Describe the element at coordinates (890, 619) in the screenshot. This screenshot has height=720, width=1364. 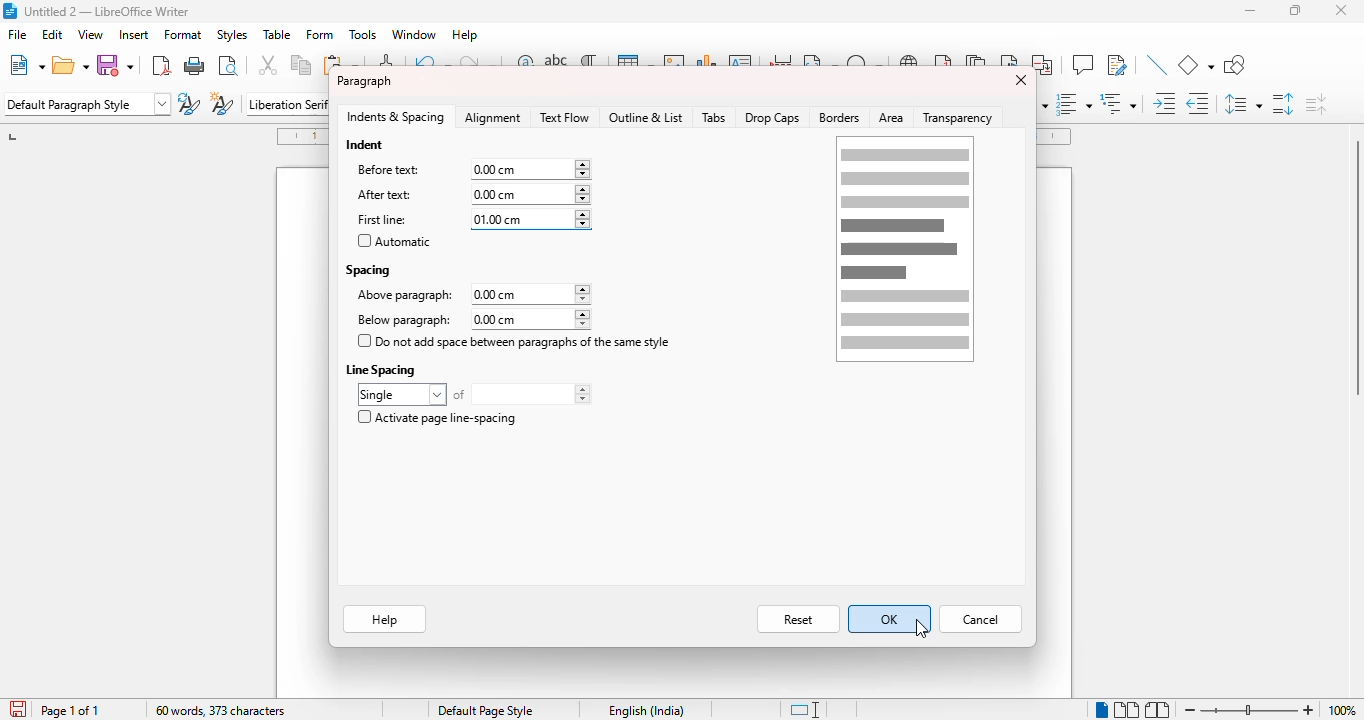
I see `OK` at that location.